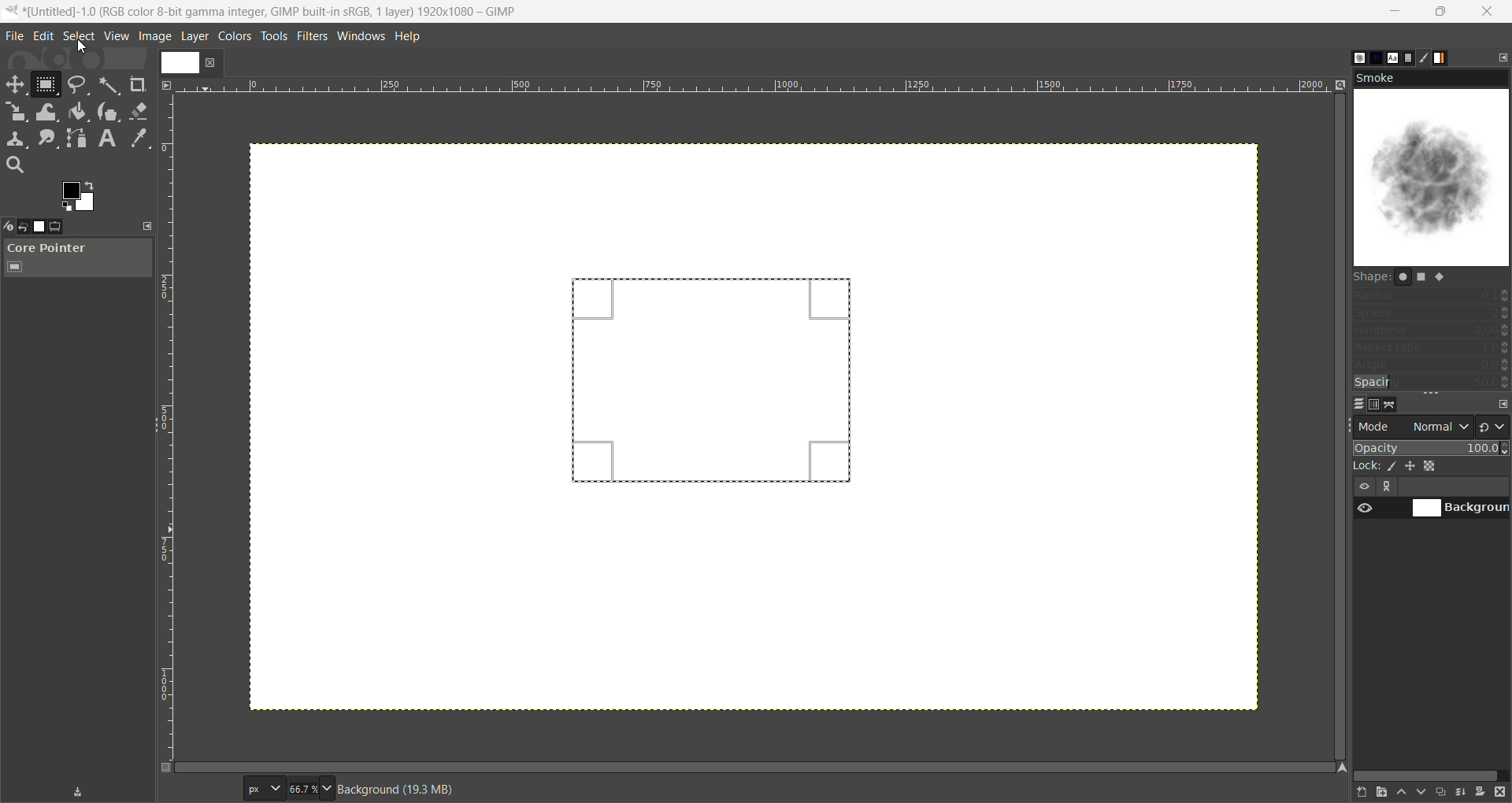 The height and width of the screenshot is (803, 1512). Describe the element at coordinates (1430, 278) in the screenshot. I see `shapes` at that location.